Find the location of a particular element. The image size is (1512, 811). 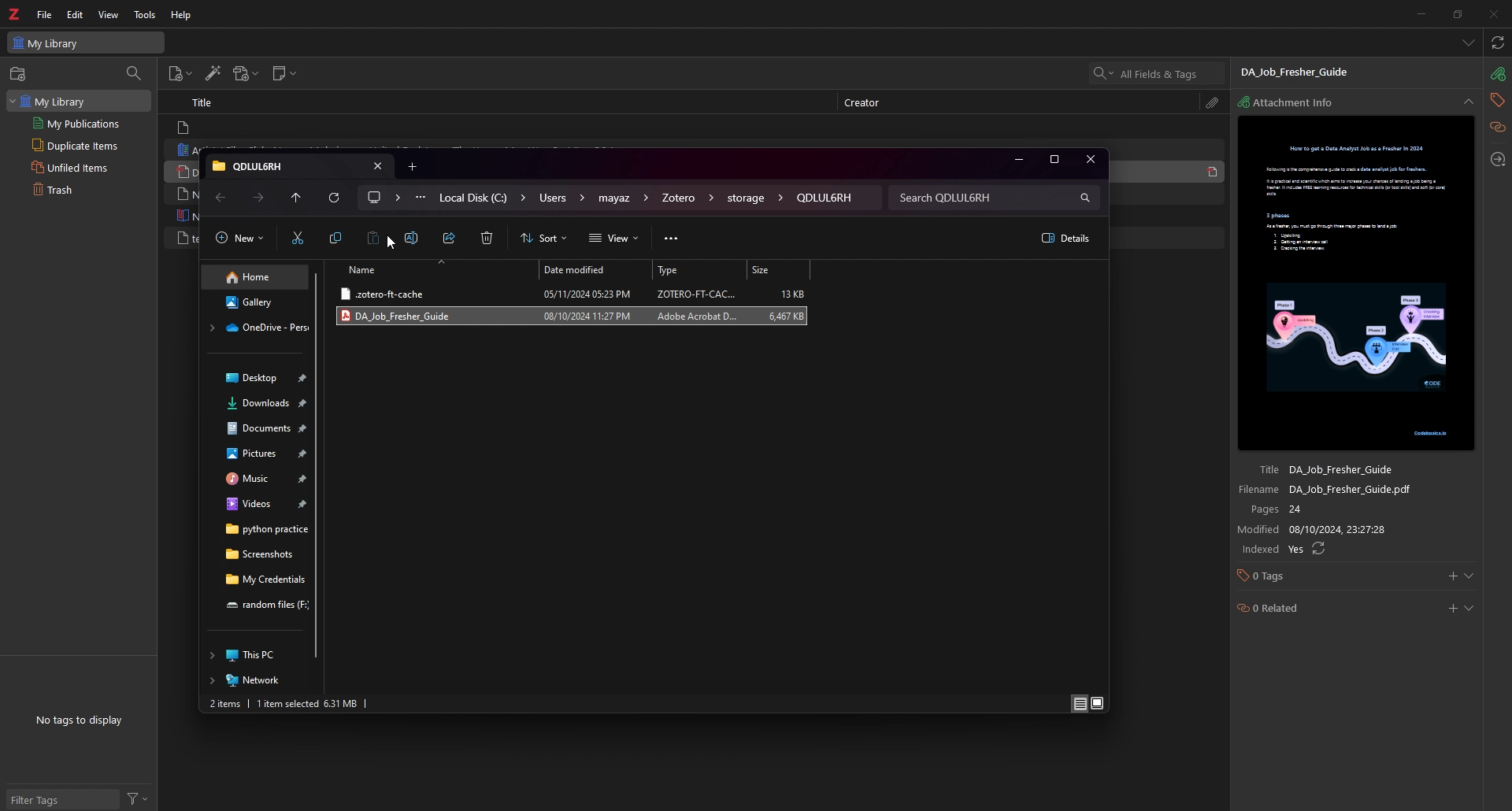

tags to display is located at coordinates (83, 721).